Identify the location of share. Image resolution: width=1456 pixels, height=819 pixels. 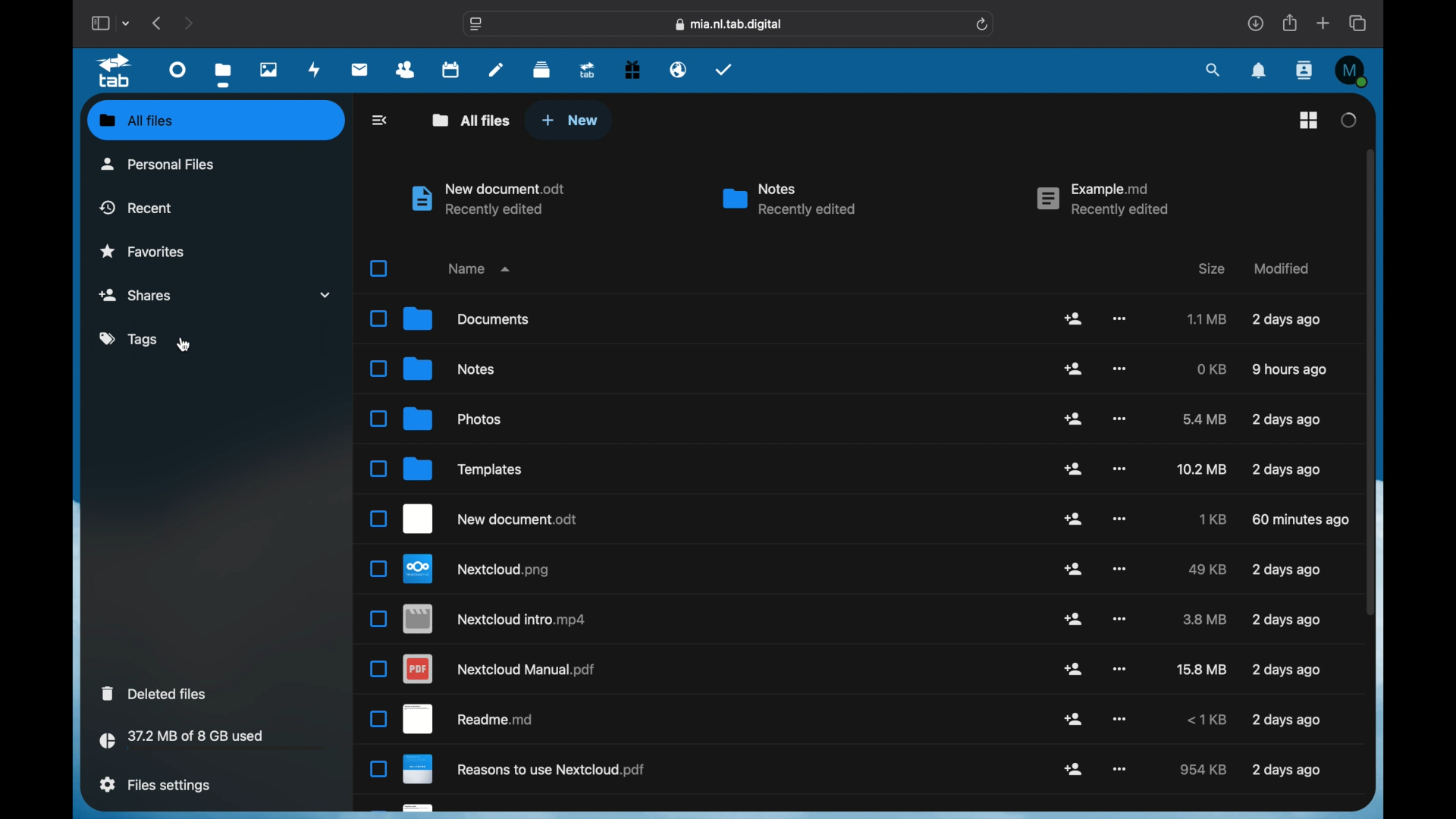
(1074, 569).